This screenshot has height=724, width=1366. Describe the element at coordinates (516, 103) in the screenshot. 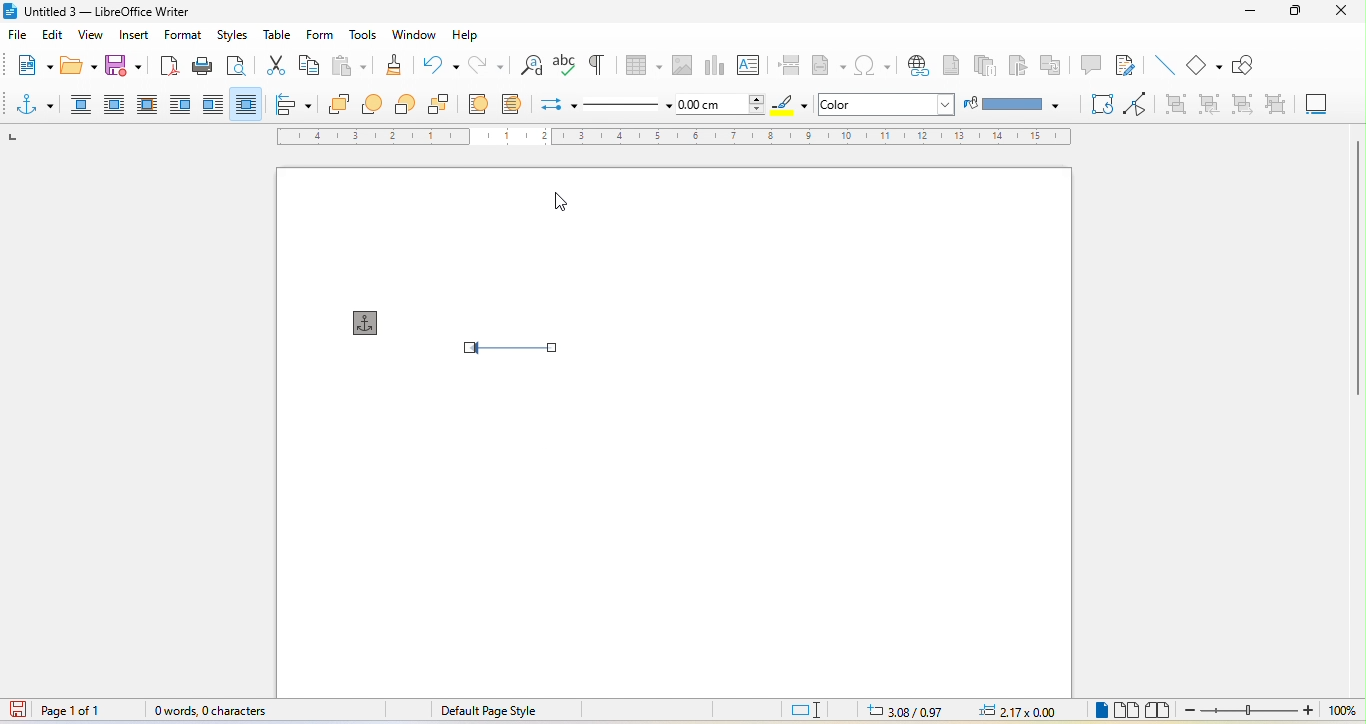

I see `to background` at that location.